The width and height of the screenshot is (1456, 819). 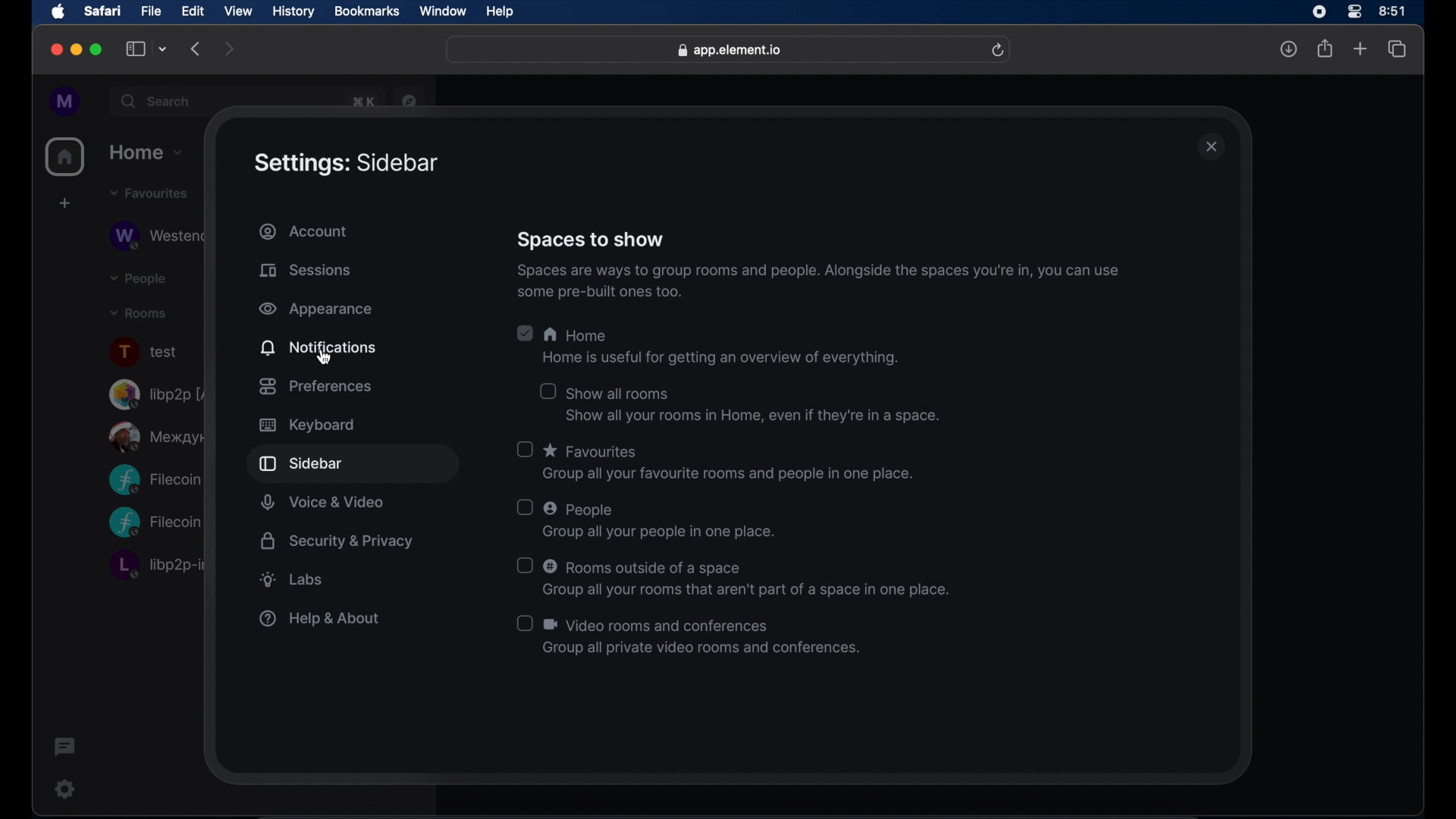 I want to click on home, so click(x=66, y=157).